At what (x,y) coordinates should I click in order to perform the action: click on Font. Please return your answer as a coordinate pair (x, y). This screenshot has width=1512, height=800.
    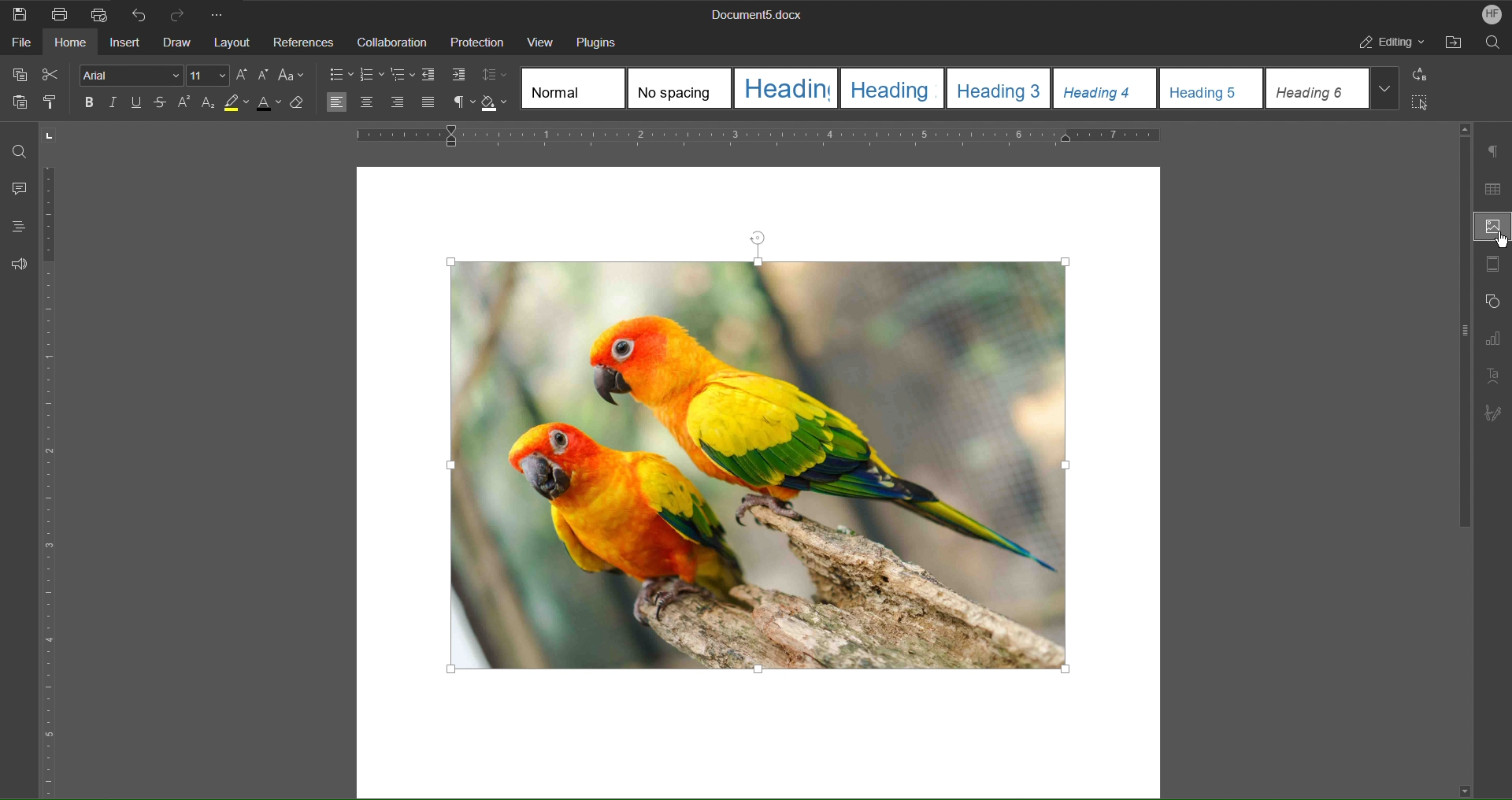
    Looking at the image, I should click on (127, 75).